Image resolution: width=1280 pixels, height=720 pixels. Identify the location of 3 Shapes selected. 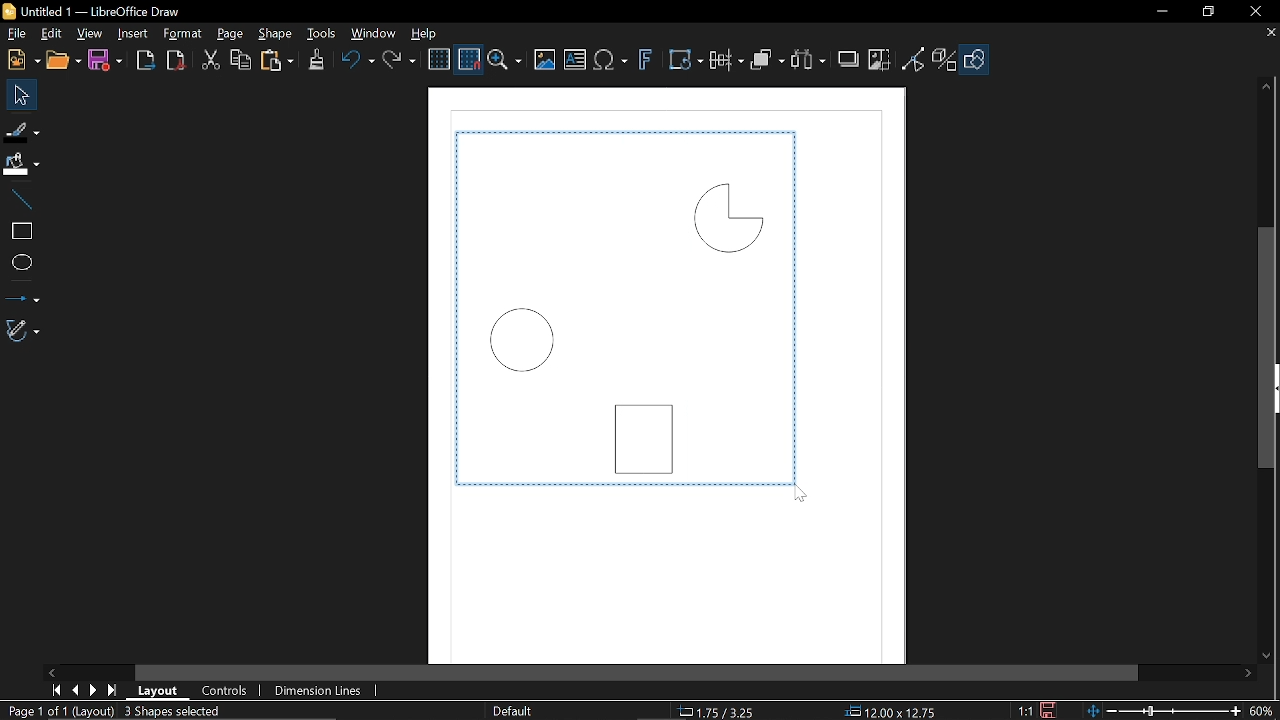
(172, 710).